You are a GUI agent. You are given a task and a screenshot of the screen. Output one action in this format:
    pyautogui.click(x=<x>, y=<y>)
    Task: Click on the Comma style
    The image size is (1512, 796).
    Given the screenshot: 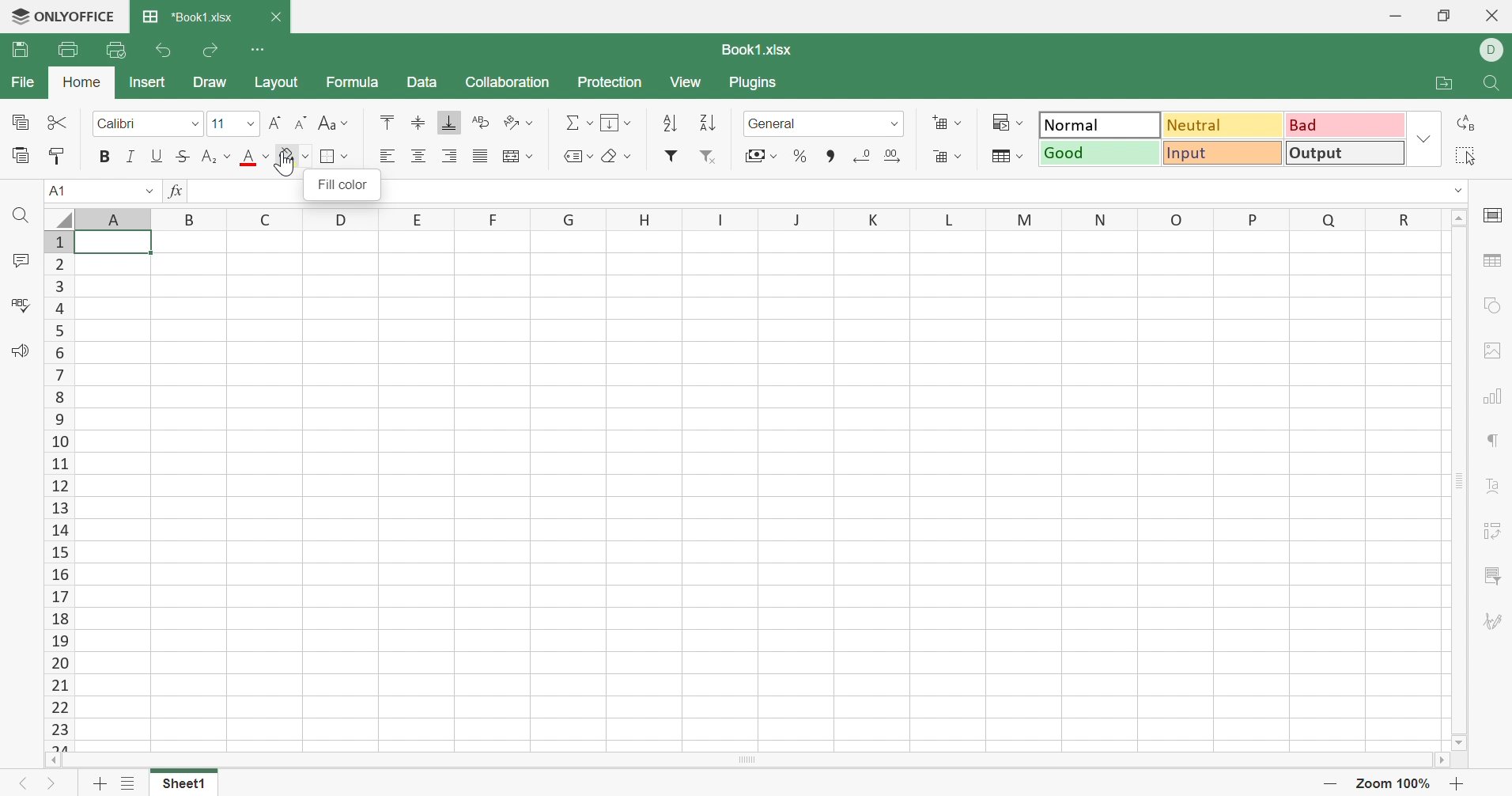 What is the action you would take?
    pyautogui.click(x=833, y=160)
    